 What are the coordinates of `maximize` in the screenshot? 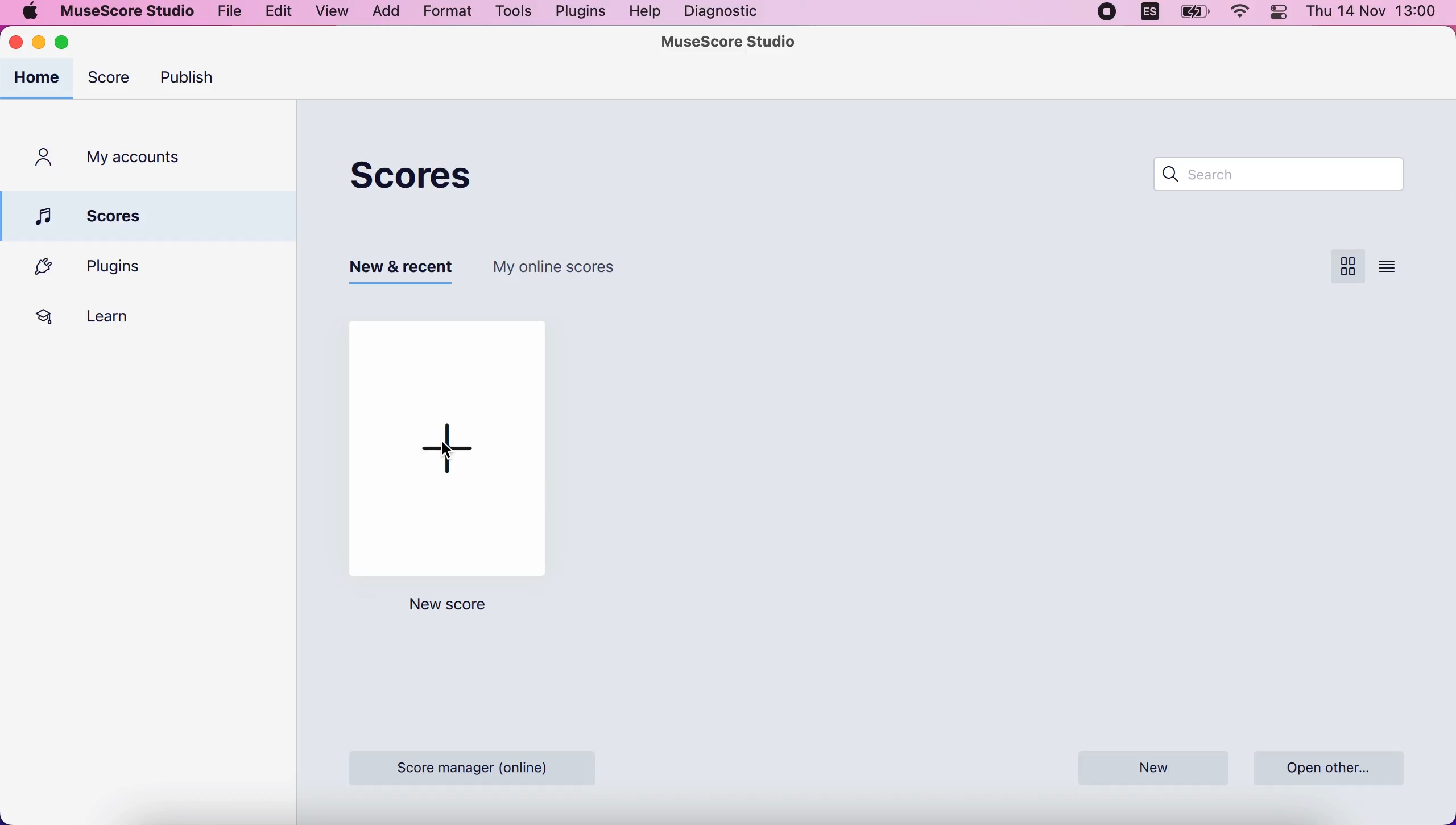 It's located at (75, 43).